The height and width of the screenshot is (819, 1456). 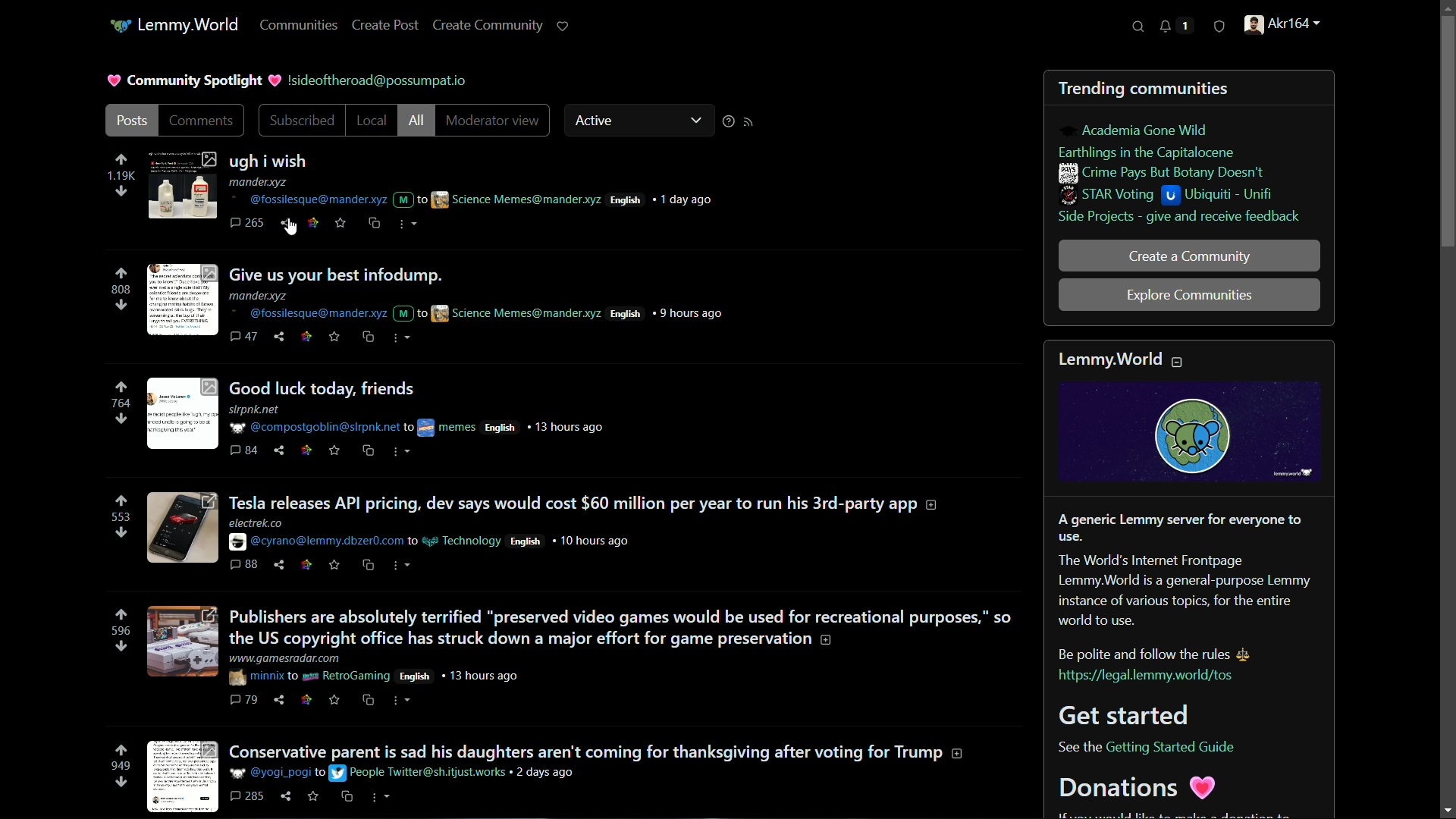 What do you see at coordinates (122, 274) in the screenshot?
I see `upvote` at bounding box center [122, 274].